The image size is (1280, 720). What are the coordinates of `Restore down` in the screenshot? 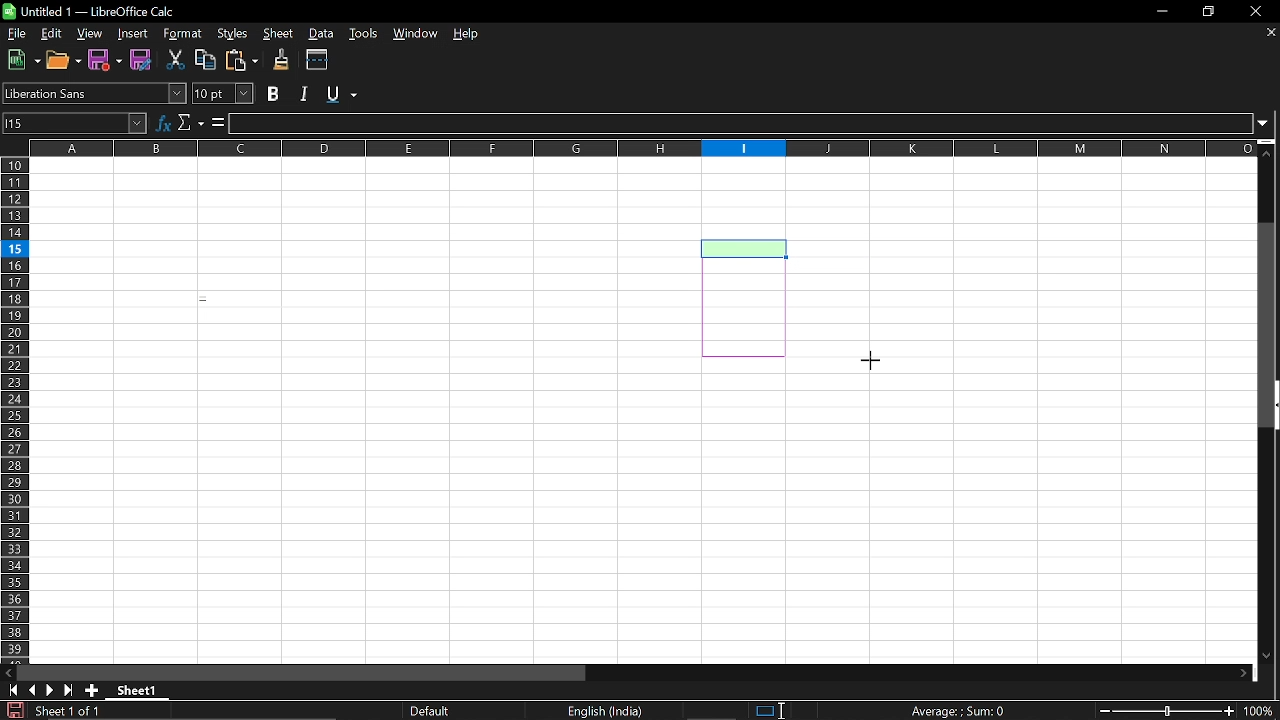 It's located at (1210, 11).